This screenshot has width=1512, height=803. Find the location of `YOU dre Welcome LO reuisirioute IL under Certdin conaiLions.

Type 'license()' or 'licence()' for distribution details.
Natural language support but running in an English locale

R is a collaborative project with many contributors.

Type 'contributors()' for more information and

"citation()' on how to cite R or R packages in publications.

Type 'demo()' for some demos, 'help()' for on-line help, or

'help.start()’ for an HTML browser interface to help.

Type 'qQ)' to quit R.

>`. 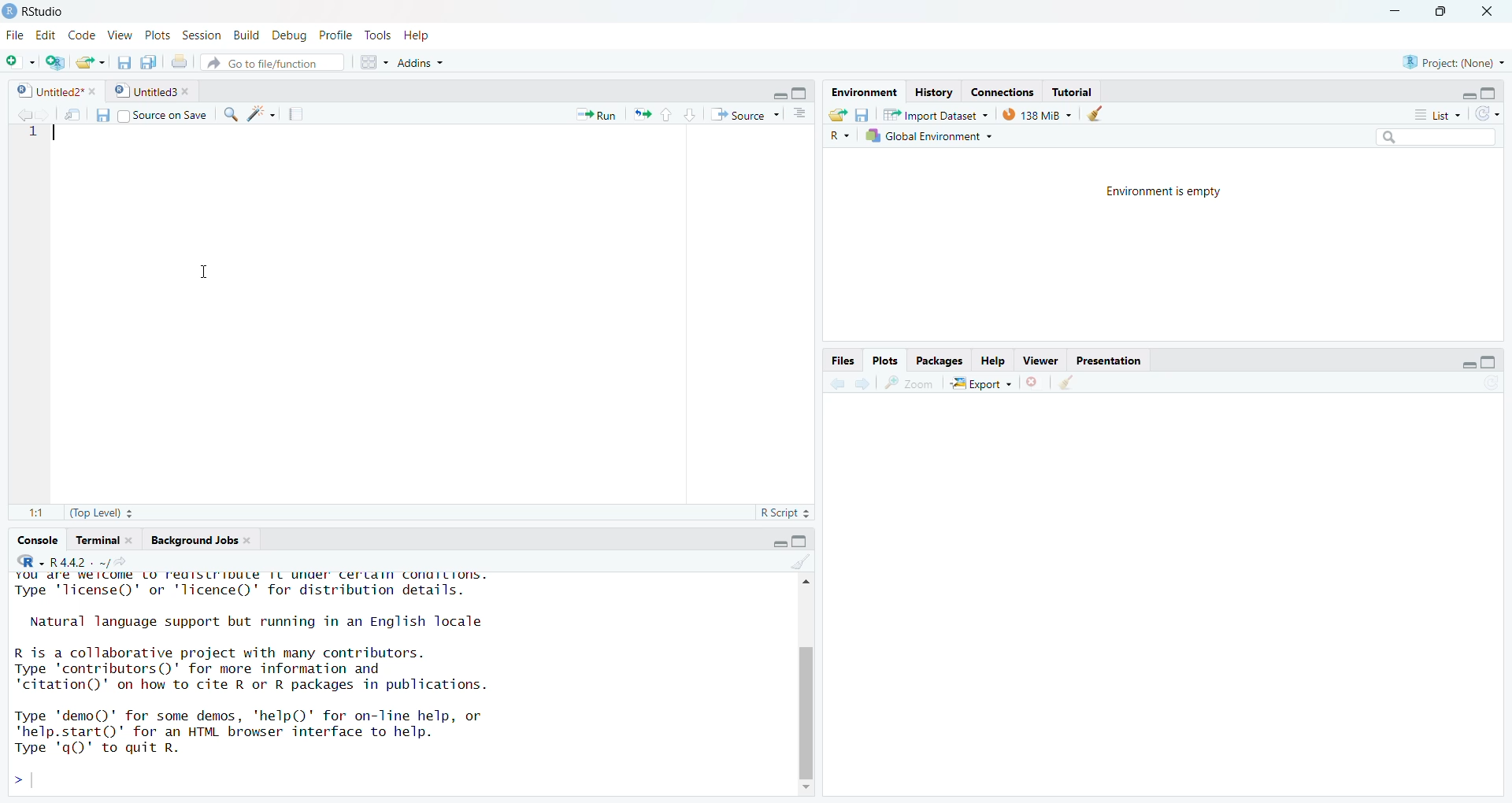

YOU dre Welcome LO reuisirioute IL under Certdin conaiLions.

Type 'license()' or 'licence()' for distribution details.
Natural language support but running in an English locale

R is a collaborative project with many contributors.

Type 'contributors()' for more information and

"citation()' on how to cite R or R packages in publications.

Type 'demo()' for some demos, 'help()' for on-line help, or

'help.start()’ for an HTML browser interface to help.

Type 'qQ)' to quit R.

> is located at coordinates (370, 683).